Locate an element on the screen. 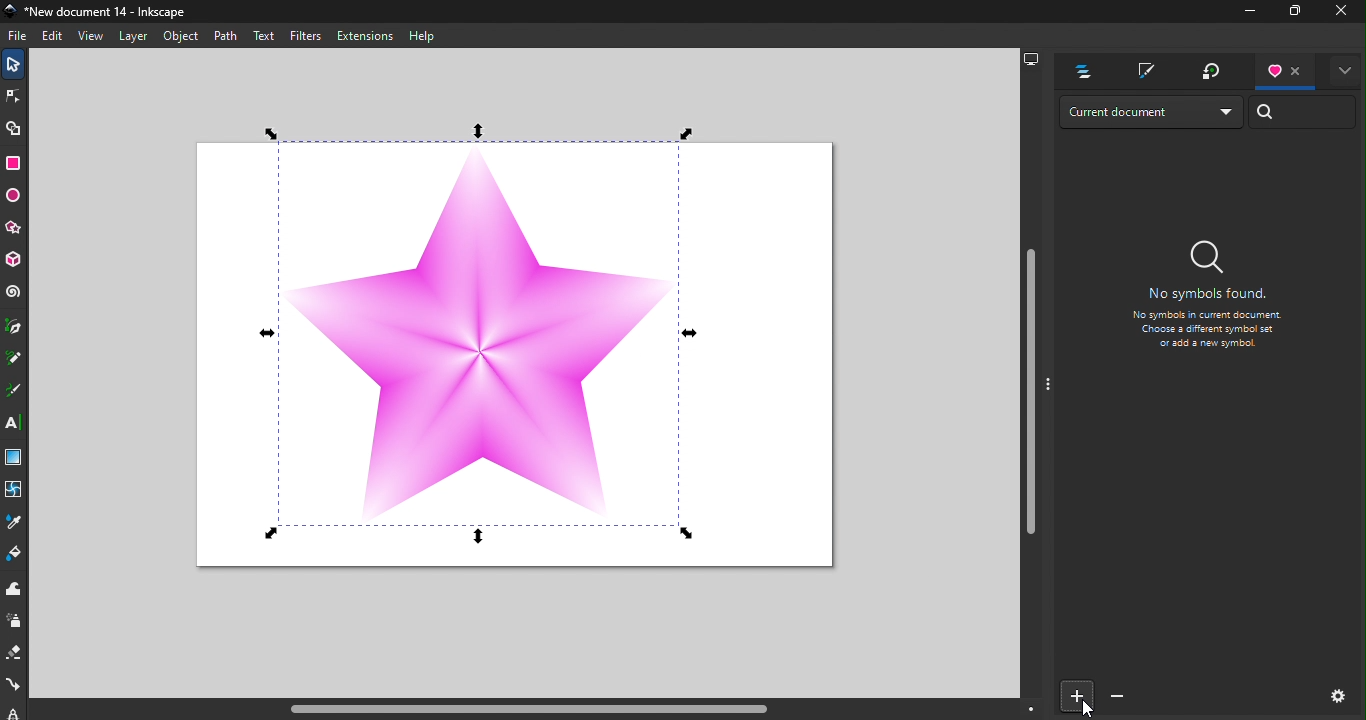 The width and height of the screenshot is (1366, 720). Calligraphy tool is located at coordinates (14, 389).